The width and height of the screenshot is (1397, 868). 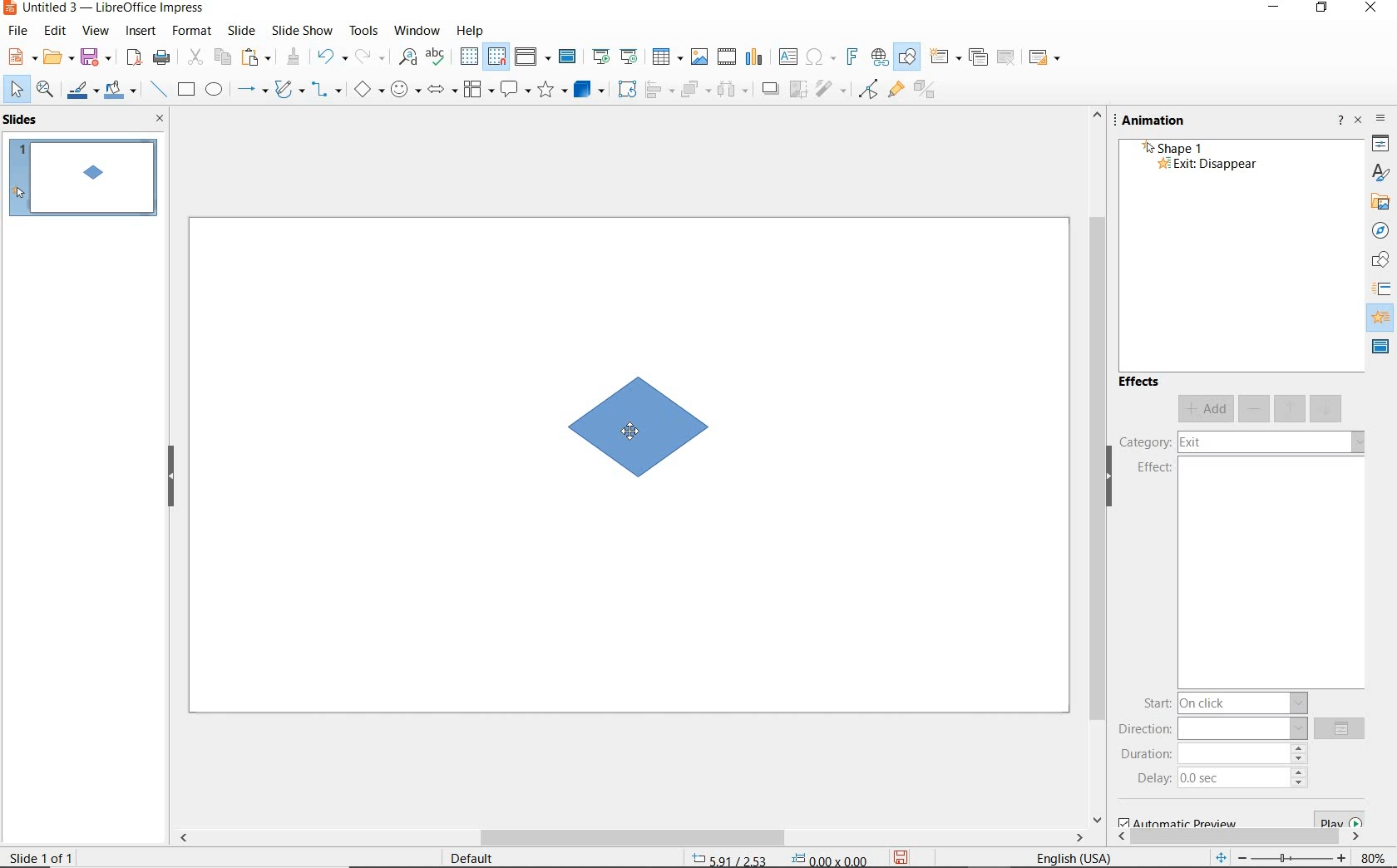 I want to click on lines and arrows, so click(x=252, y=90).